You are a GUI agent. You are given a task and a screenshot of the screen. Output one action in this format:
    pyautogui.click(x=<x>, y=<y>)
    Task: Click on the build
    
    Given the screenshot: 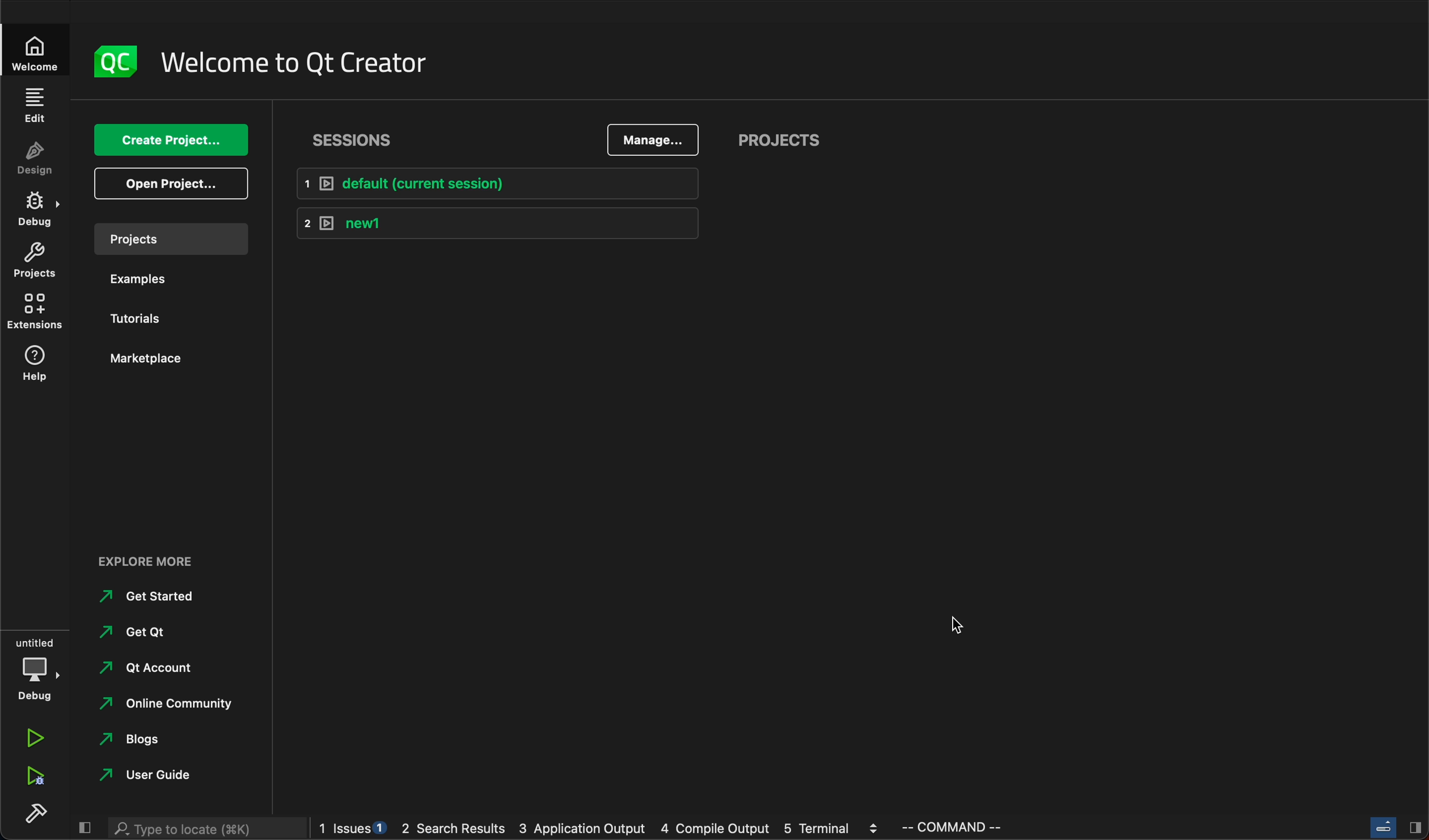 What is the action you would take?
    pyautogui.click(x=39, y=816)
    